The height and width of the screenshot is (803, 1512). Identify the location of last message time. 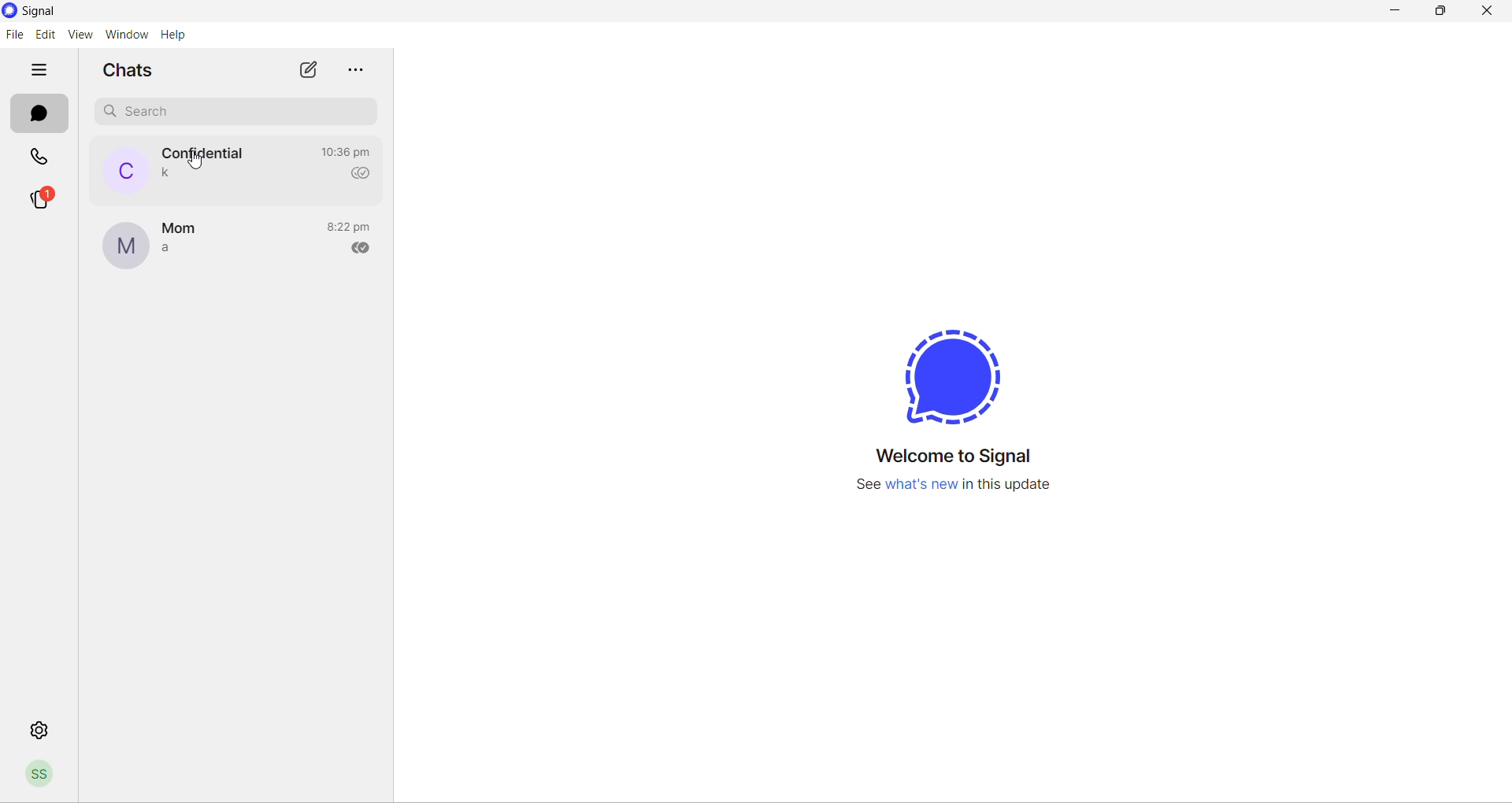
(352, 154).